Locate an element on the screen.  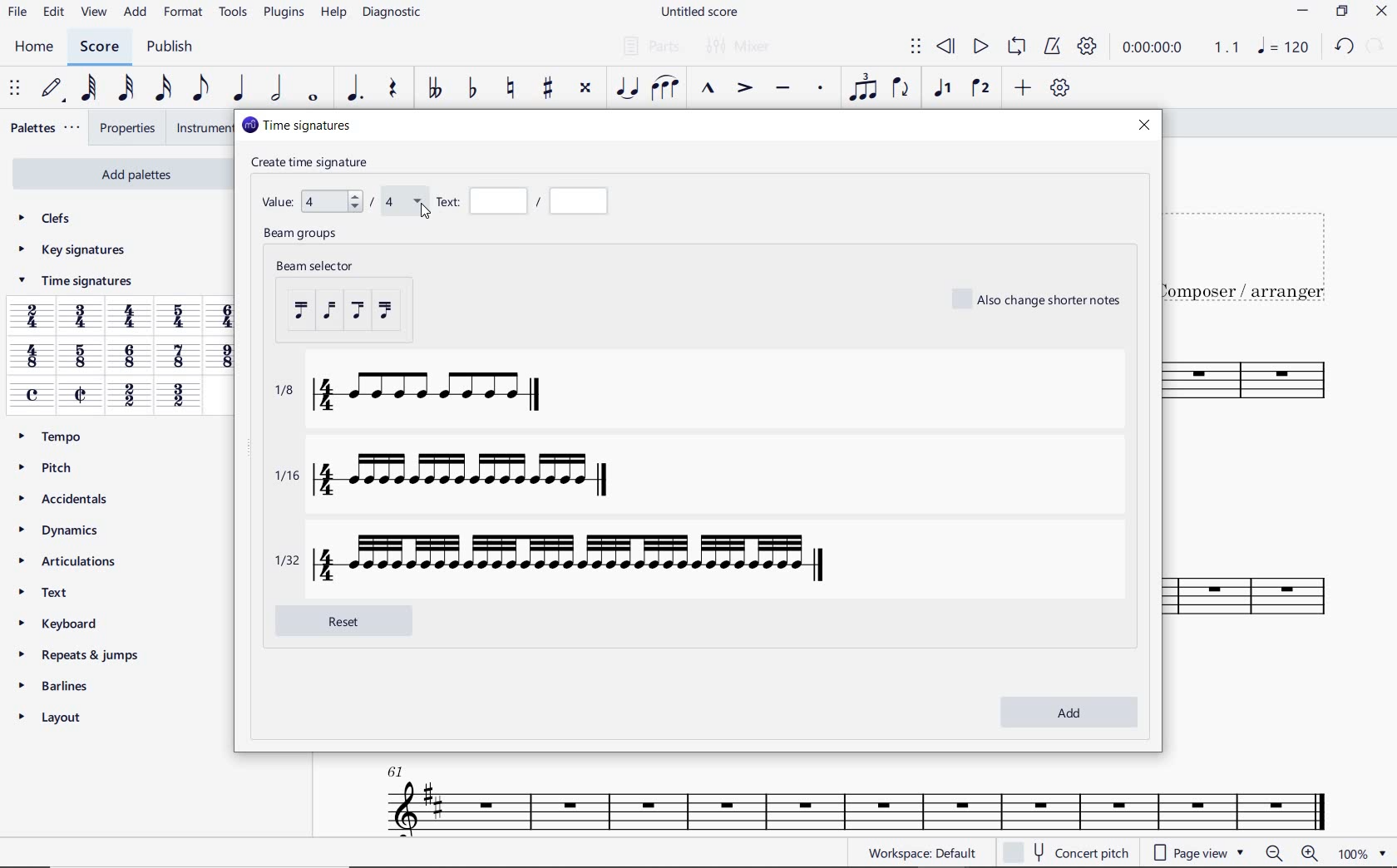
TEMPO is located at coordinates (57, 436).